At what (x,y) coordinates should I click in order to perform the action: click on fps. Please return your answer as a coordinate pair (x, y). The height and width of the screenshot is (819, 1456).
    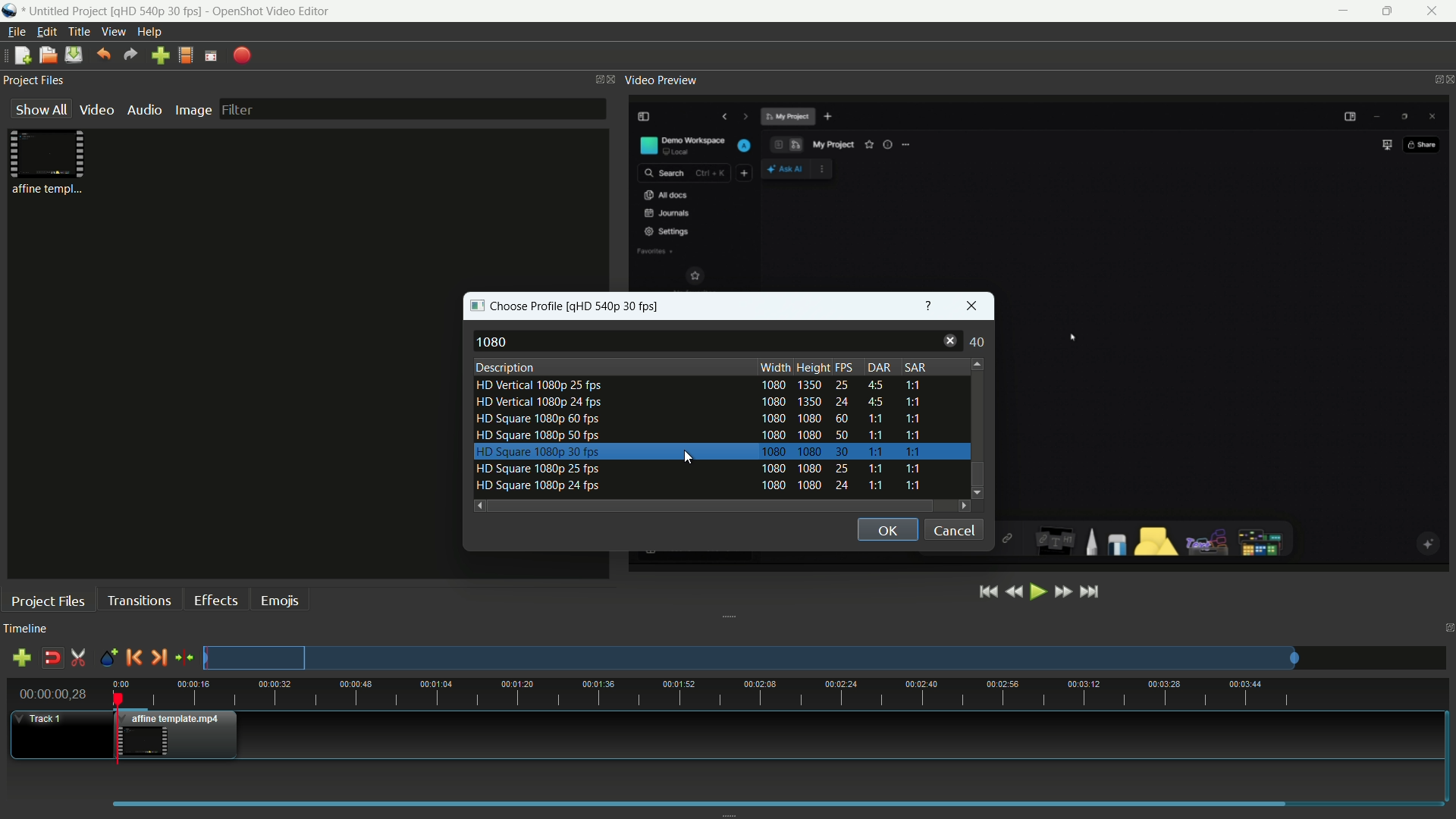
    Looking at the image, I should click on (849, 368).